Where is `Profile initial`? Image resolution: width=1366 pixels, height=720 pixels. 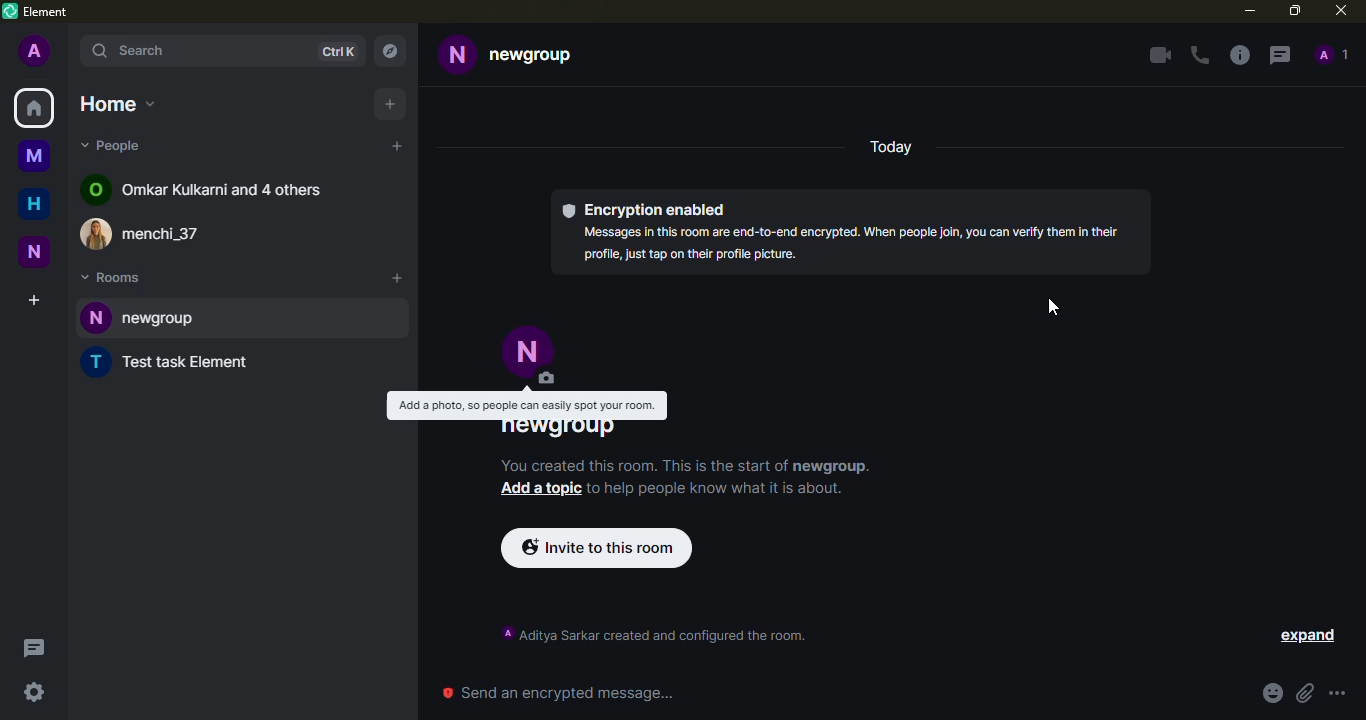 Profile initial is located at coordinates (97, 362).